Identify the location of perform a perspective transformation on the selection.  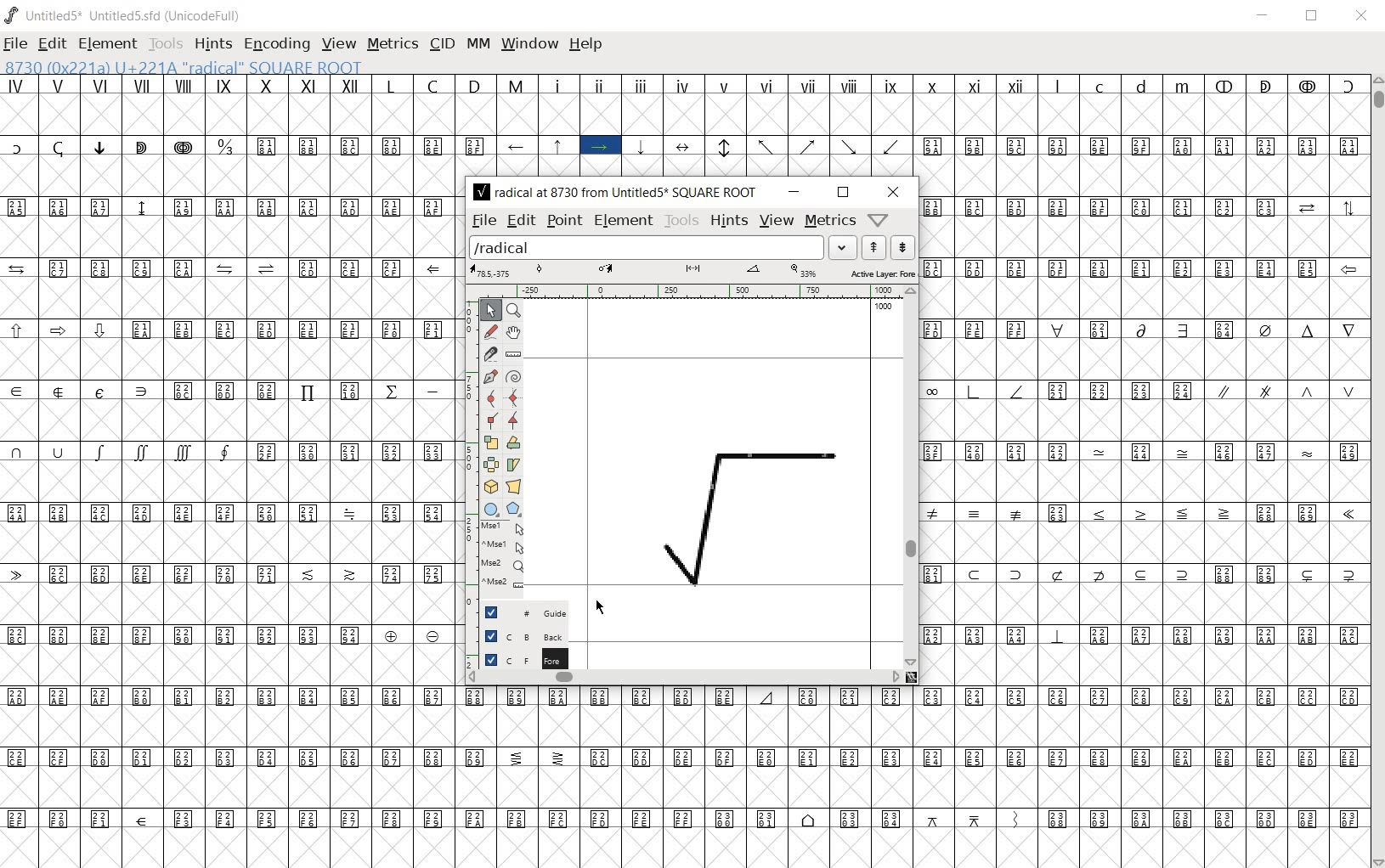
(512, 488).